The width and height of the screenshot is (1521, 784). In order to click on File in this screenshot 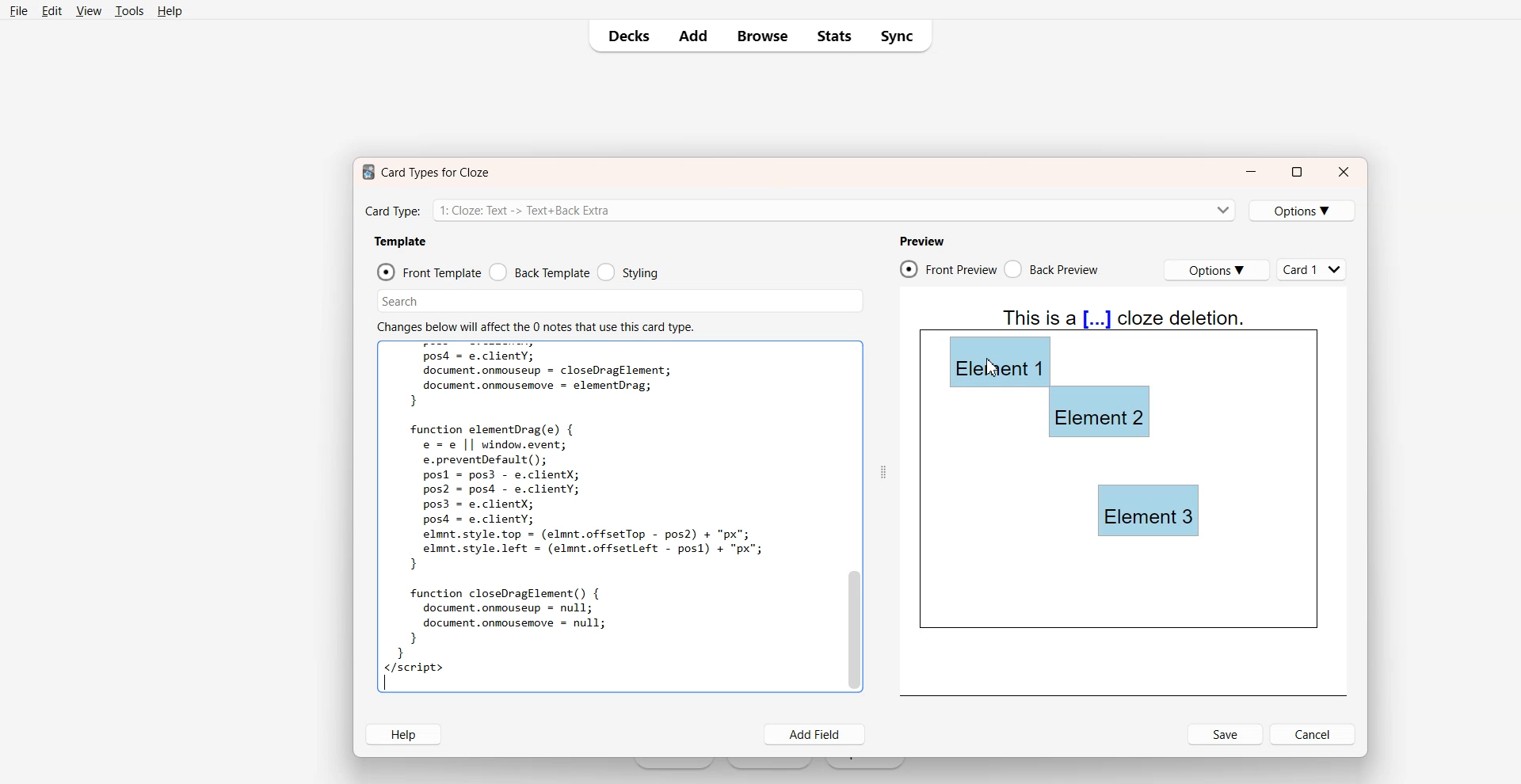, I will do `click(19, 10)`.